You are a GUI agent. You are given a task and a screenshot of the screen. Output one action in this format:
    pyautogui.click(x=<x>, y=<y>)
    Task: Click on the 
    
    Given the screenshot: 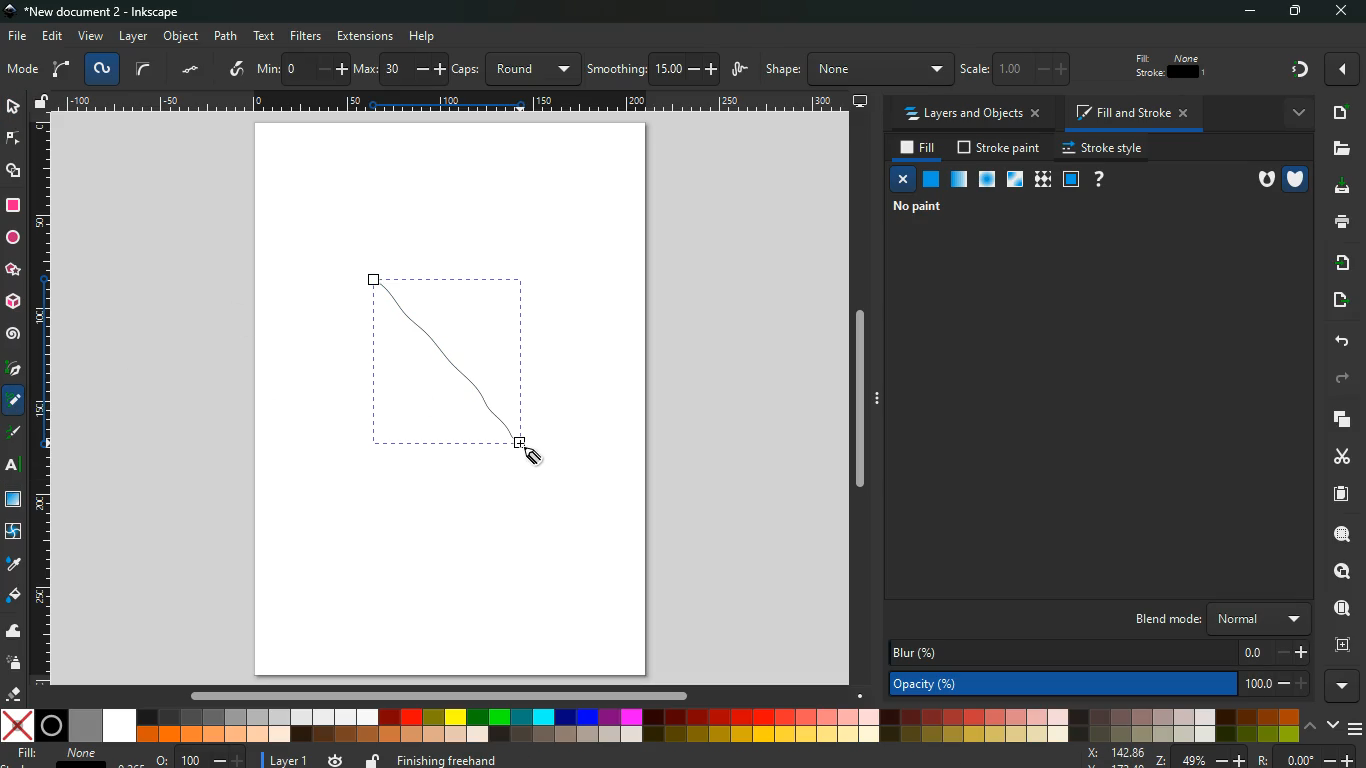 What is the action you would take?
    pyautogui.click(x=1340, y=13)
    